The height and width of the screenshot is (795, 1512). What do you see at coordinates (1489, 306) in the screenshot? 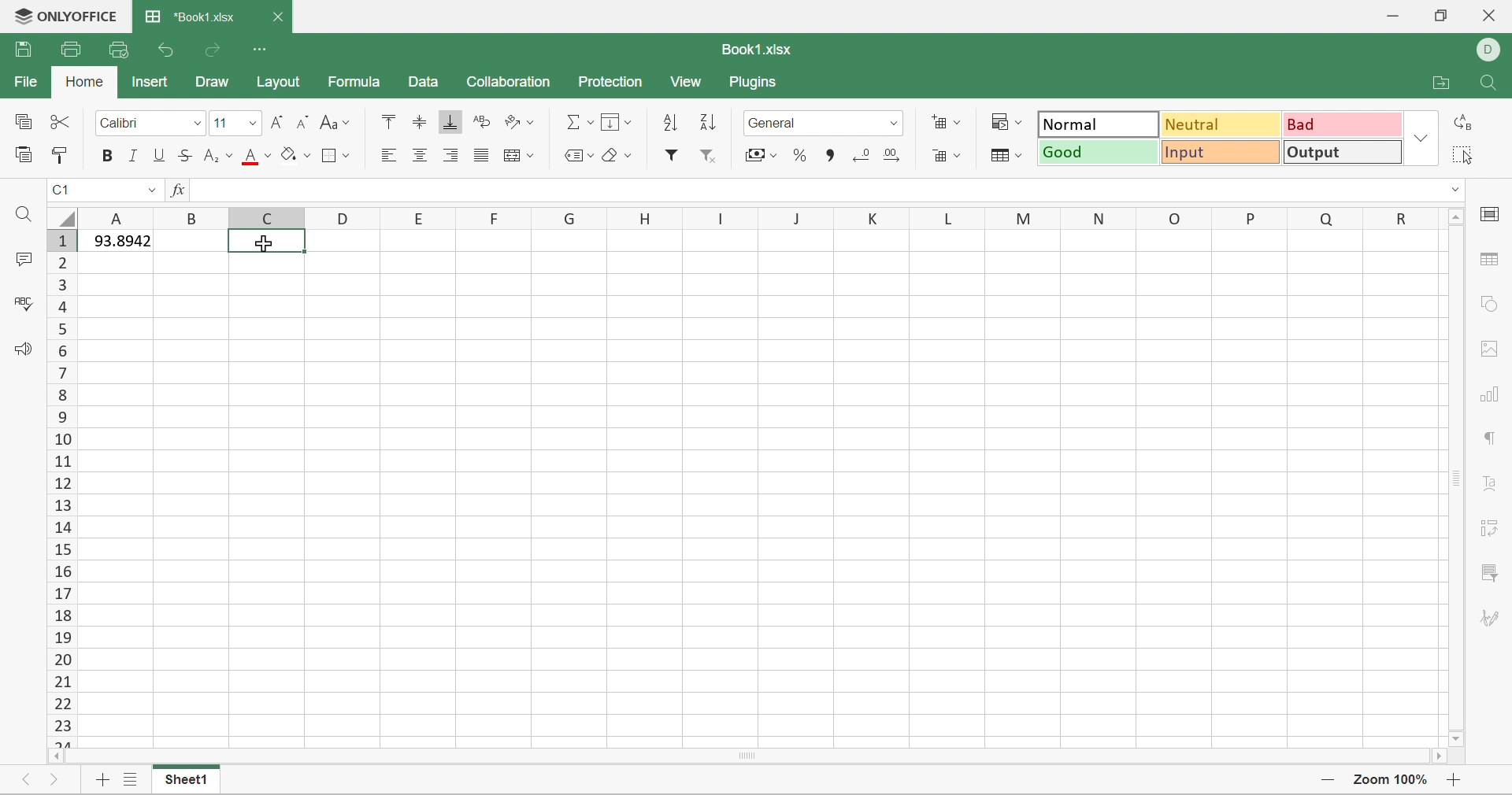
I see `shape settings` at bounding box center [1489, 306].